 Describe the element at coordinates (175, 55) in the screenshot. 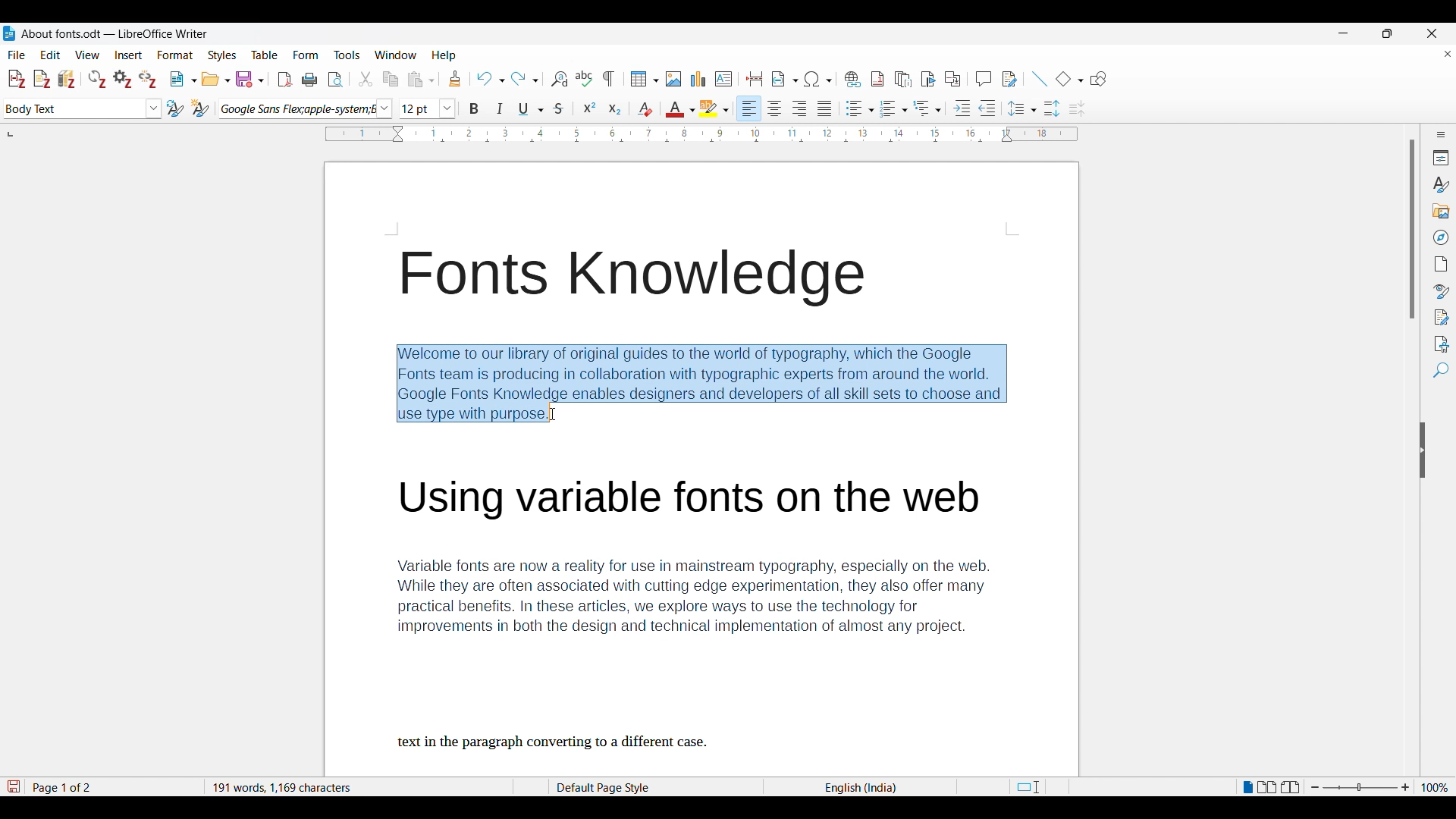

I see `Format menu` at that location.